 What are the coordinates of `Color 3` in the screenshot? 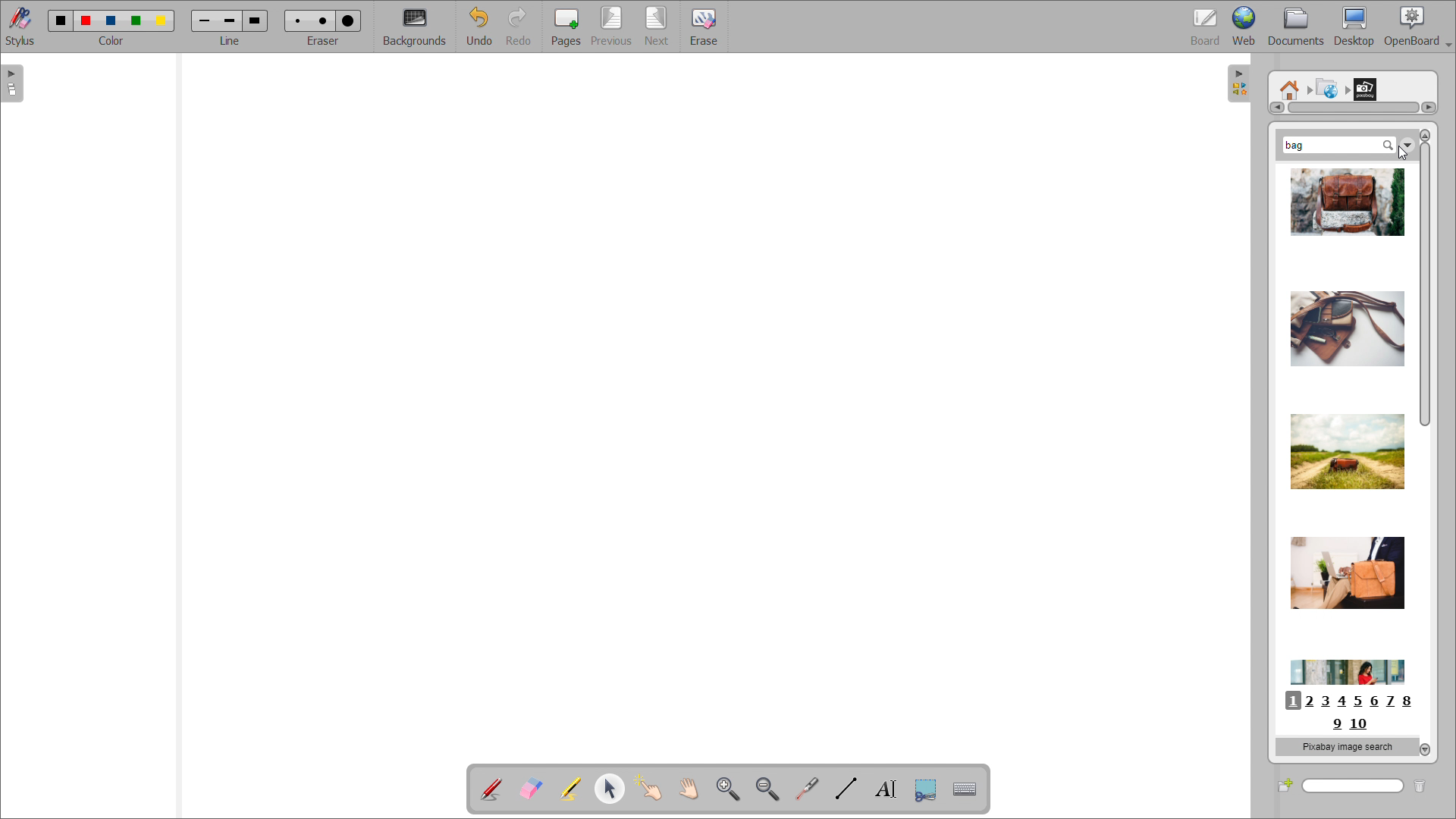 It's located at (110, 20).